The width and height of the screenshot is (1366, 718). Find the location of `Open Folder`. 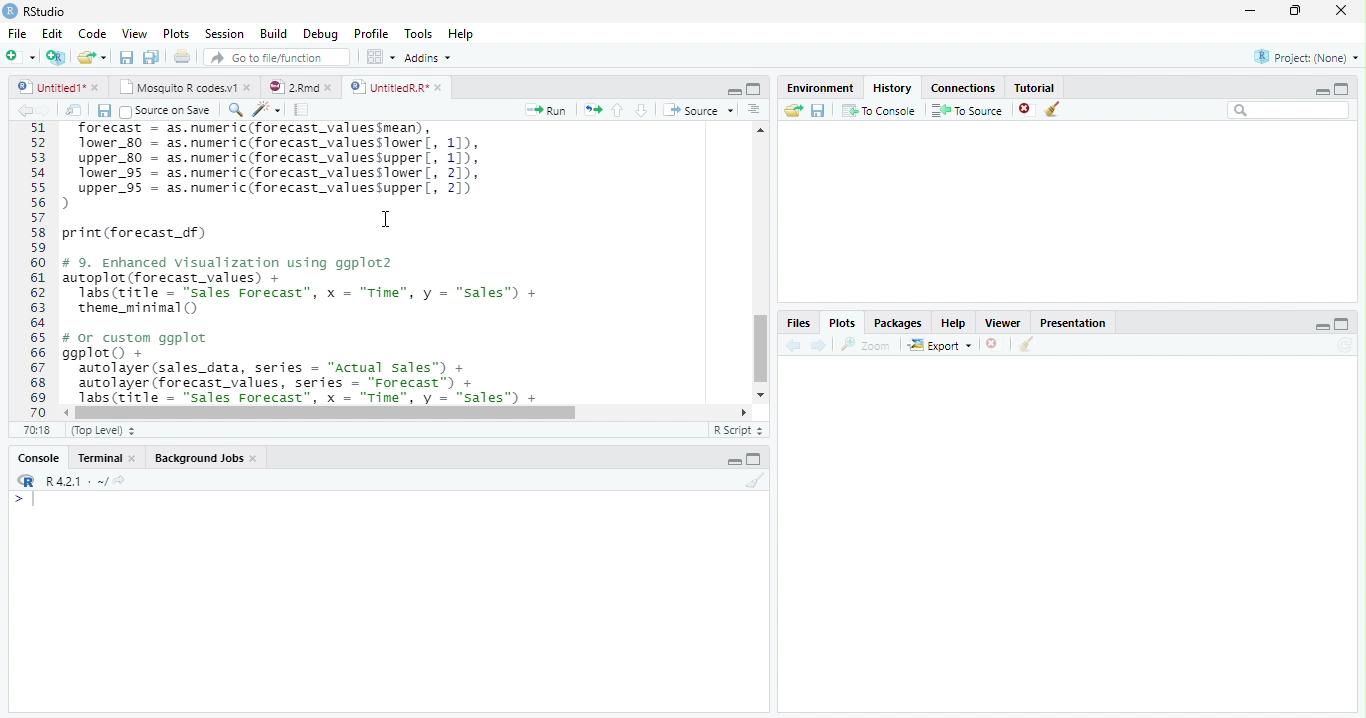

Open Folder is located at coordinates (793, 111).